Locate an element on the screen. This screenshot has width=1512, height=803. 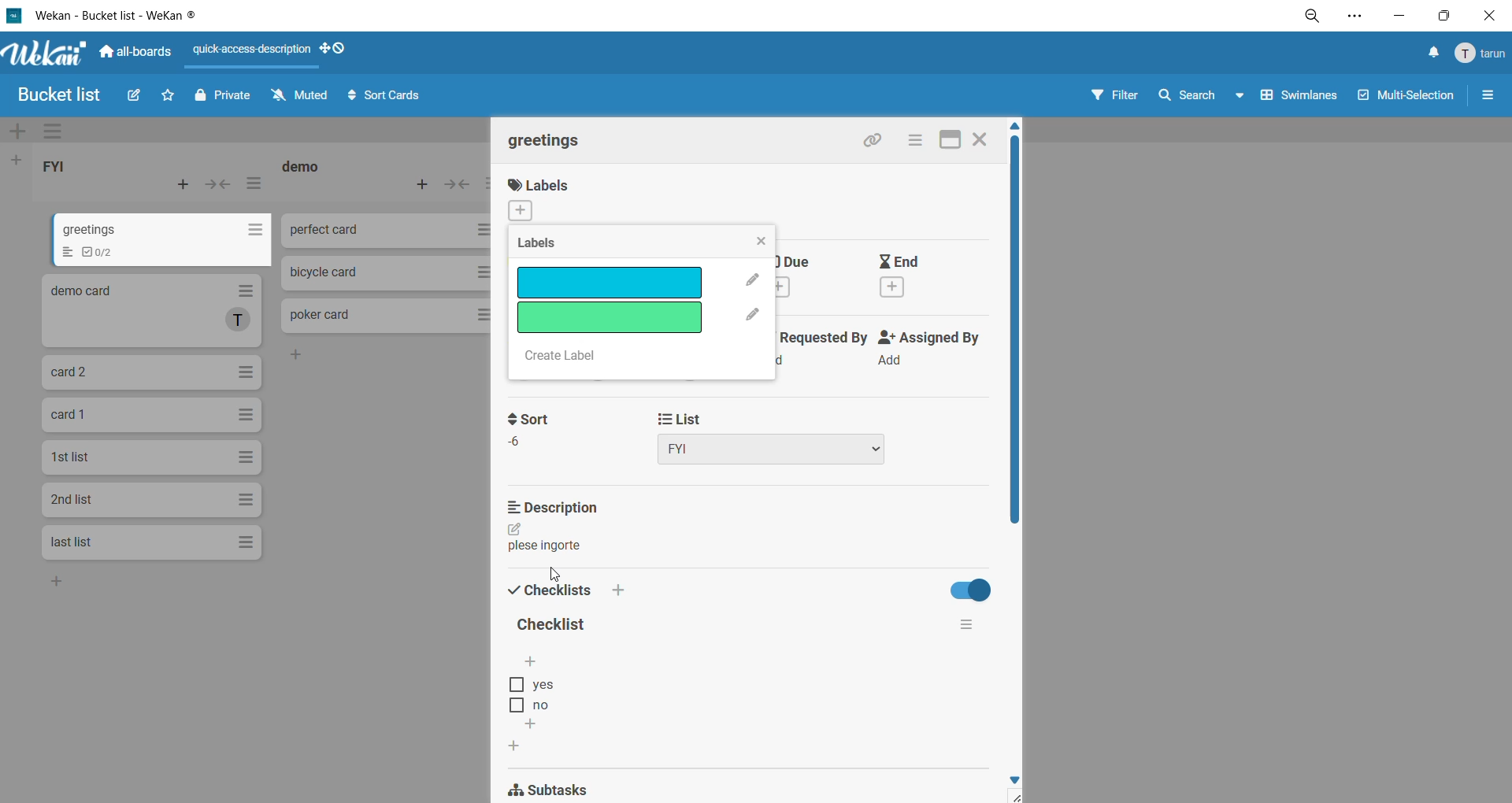
labels is located at coordinates (547, 245).